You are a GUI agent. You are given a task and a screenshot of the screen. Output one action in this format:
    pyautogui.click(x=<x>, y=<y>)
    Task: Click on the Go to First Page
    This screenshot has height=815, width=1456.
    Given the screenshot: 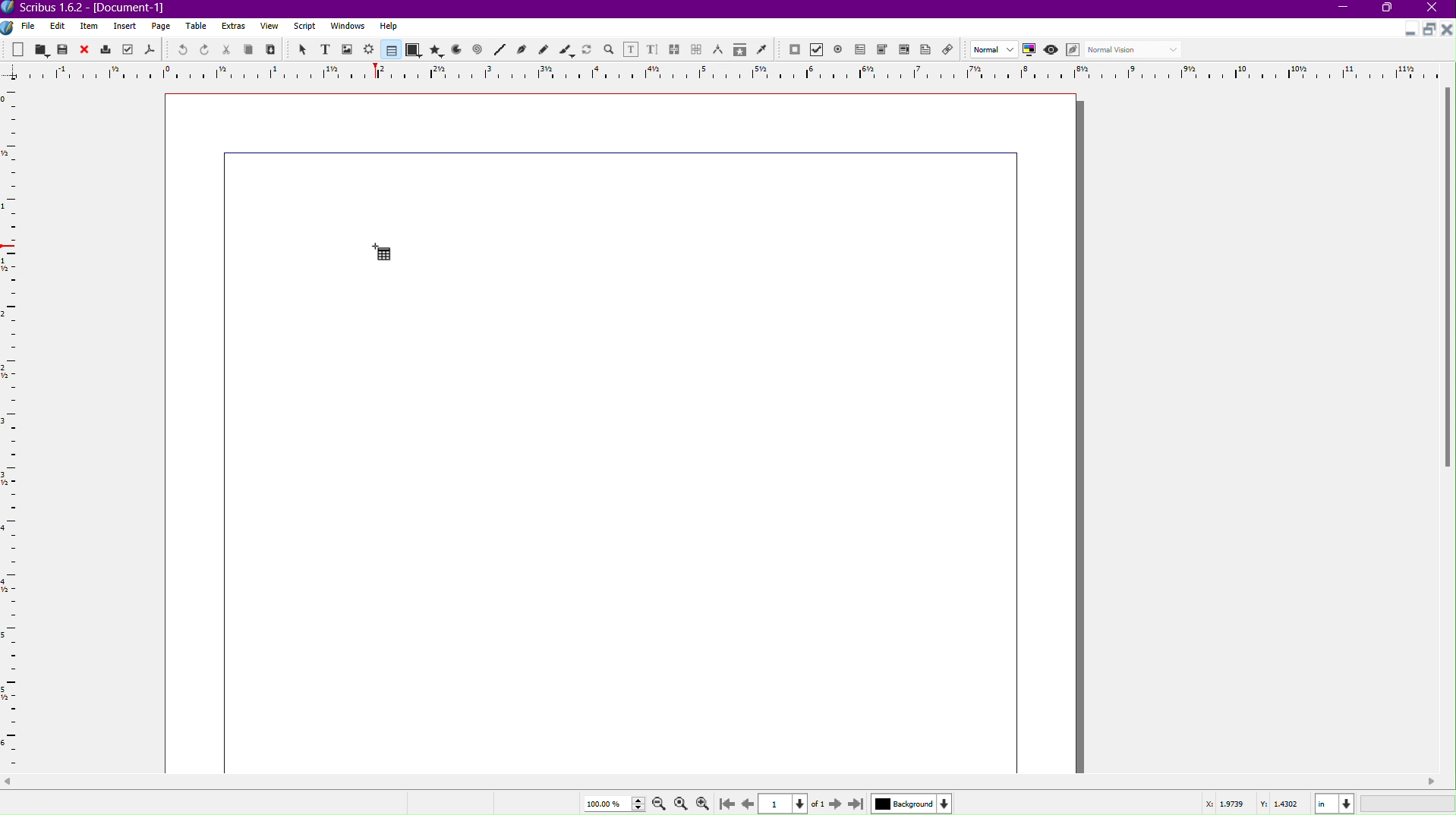 What is the action you would take?
    pyautogui.click(x=730, y=803)
    